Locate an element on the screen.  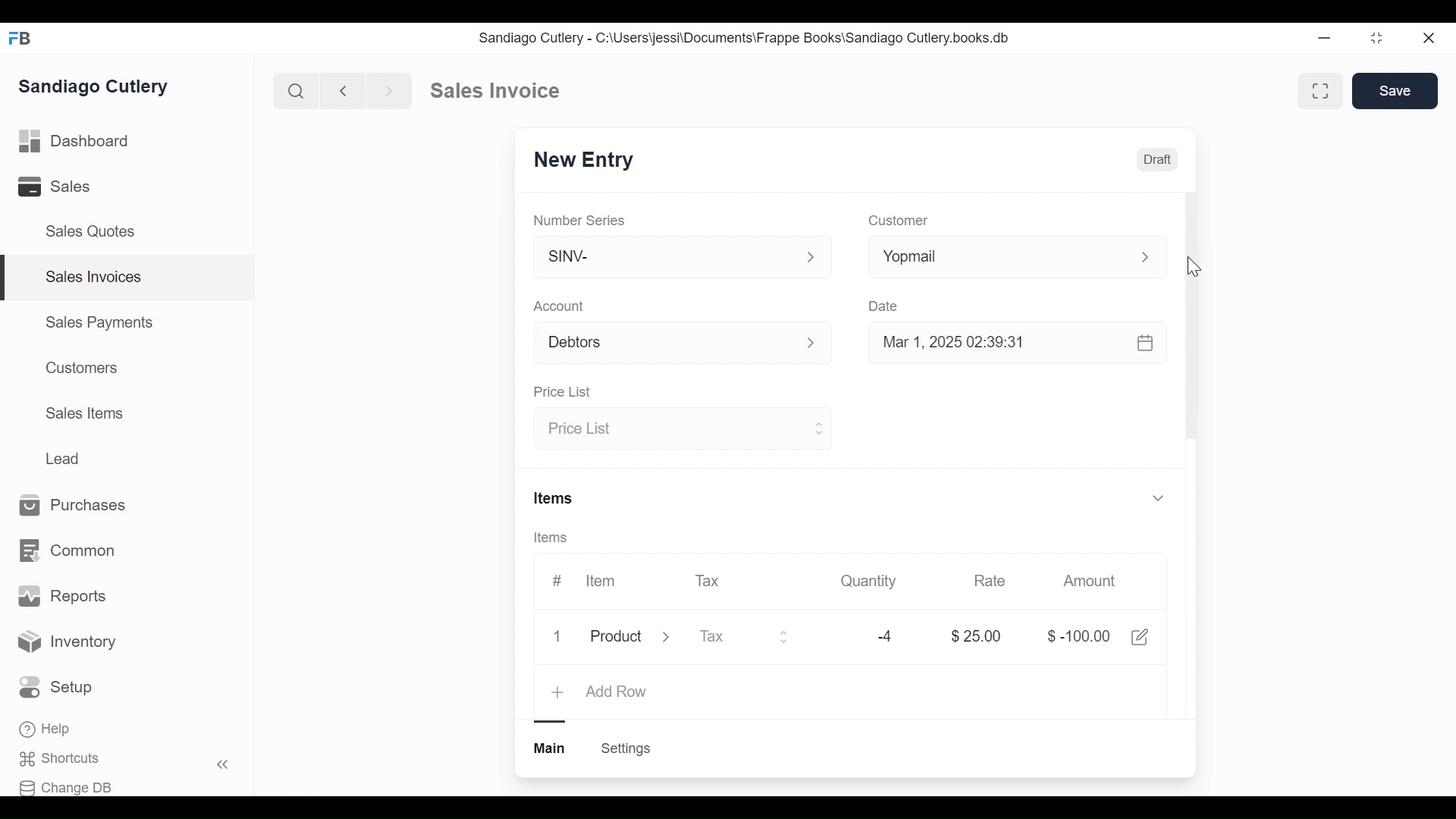
 Change DB is located at coordinates (67, 787).